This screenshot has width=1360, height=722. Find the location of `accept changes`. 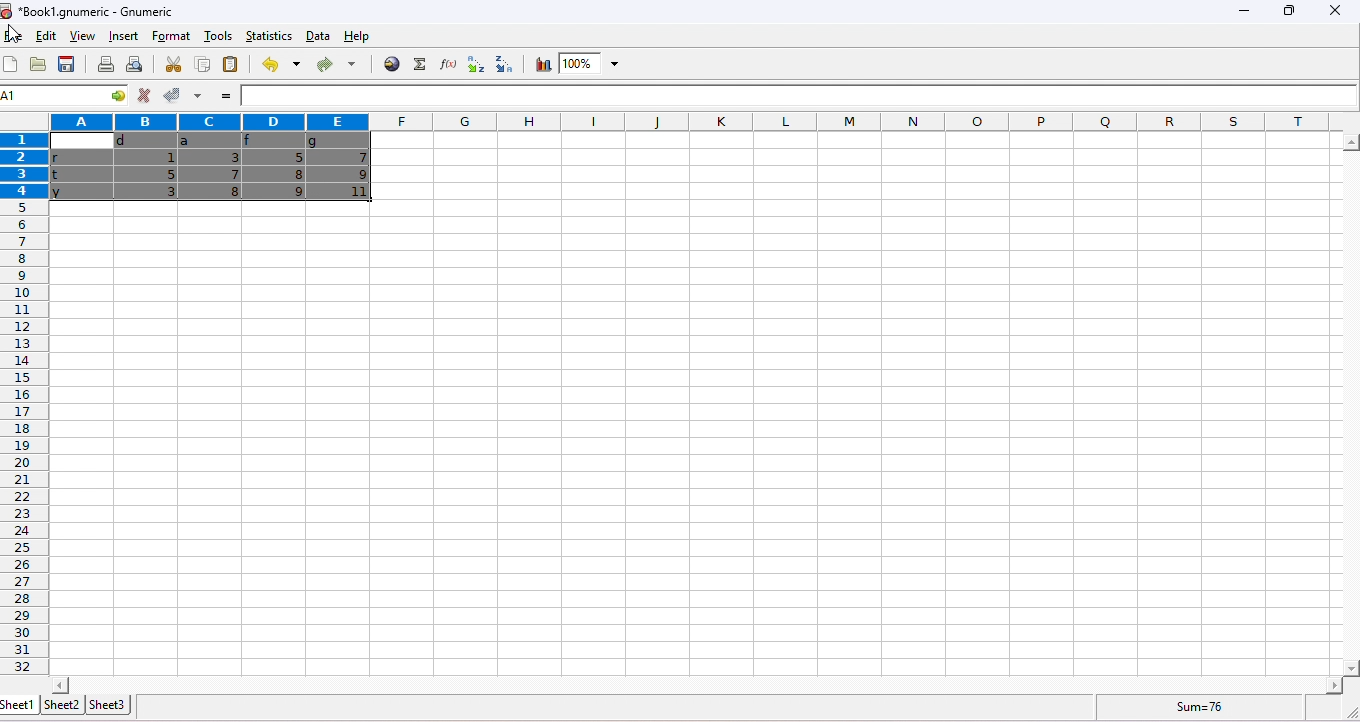

accept changes is located at coordinates (168, 94).